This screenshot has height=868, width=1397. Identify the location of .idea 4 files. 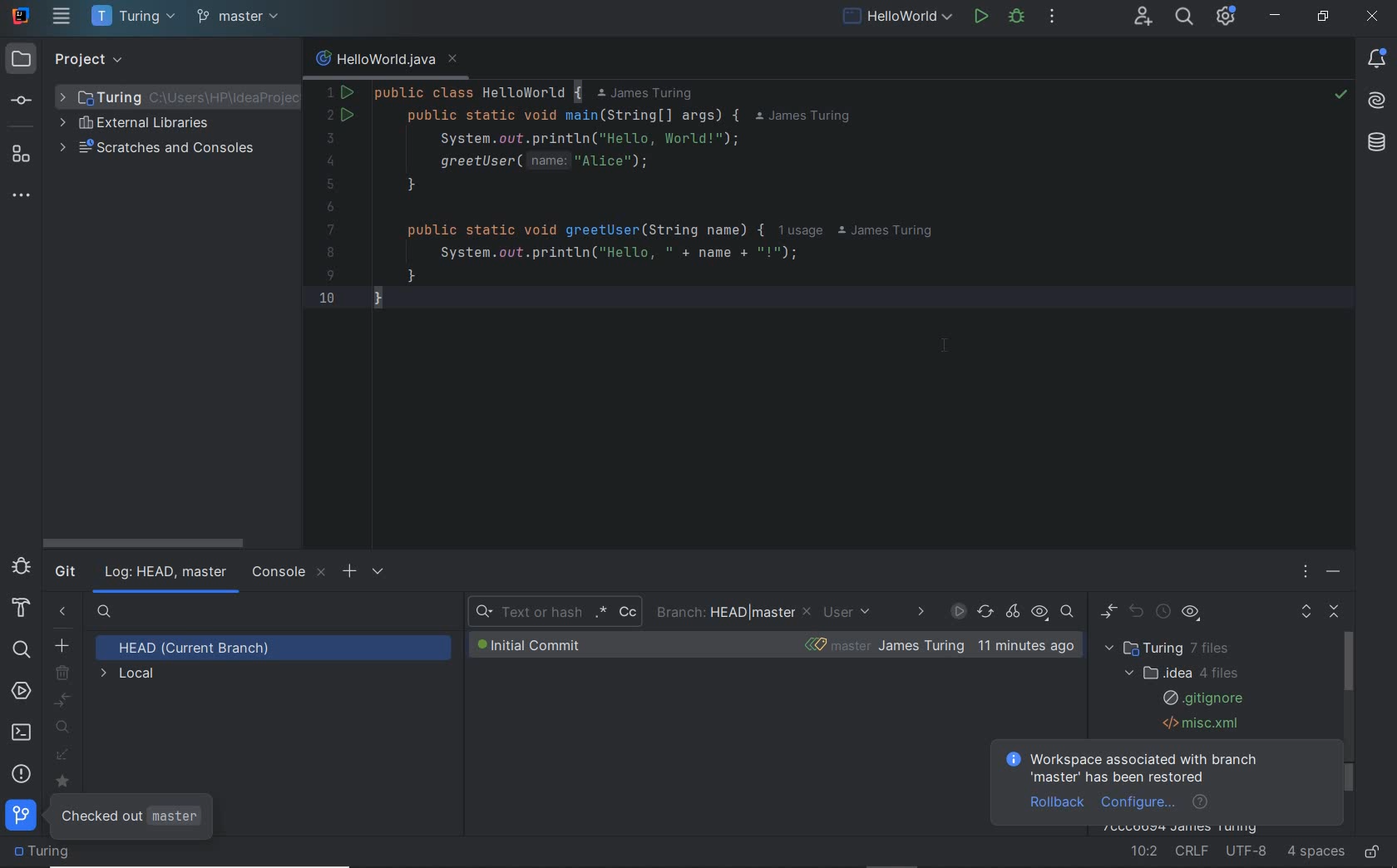
(1178, 673).